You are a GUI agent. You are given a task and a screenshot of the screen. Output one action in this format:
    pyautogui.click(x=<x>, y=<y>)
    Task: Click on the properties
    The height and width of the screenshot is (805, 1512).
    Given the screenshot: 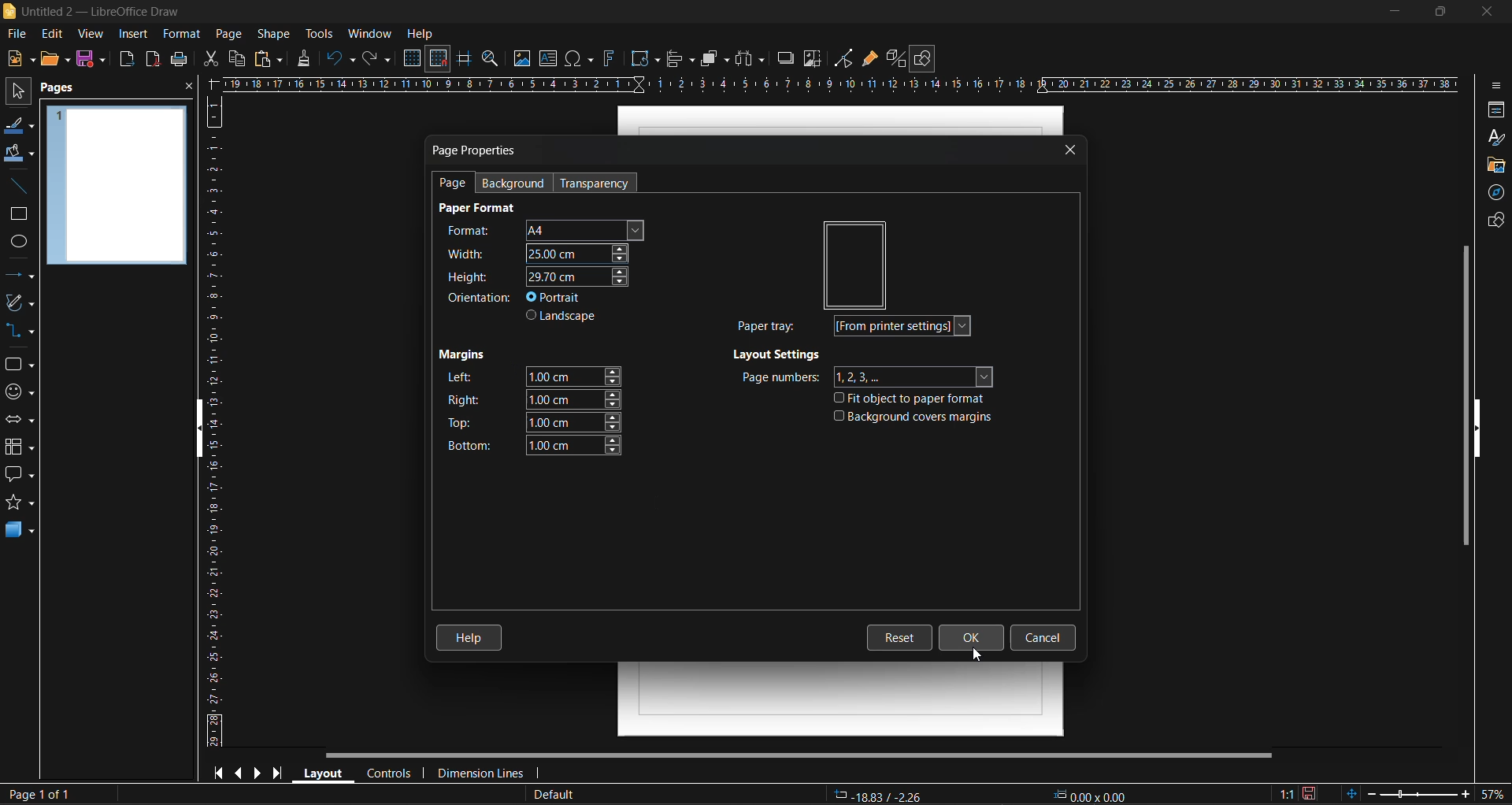 What is the action you would take?
    pyautogui.click(x=1495, y=109)
    